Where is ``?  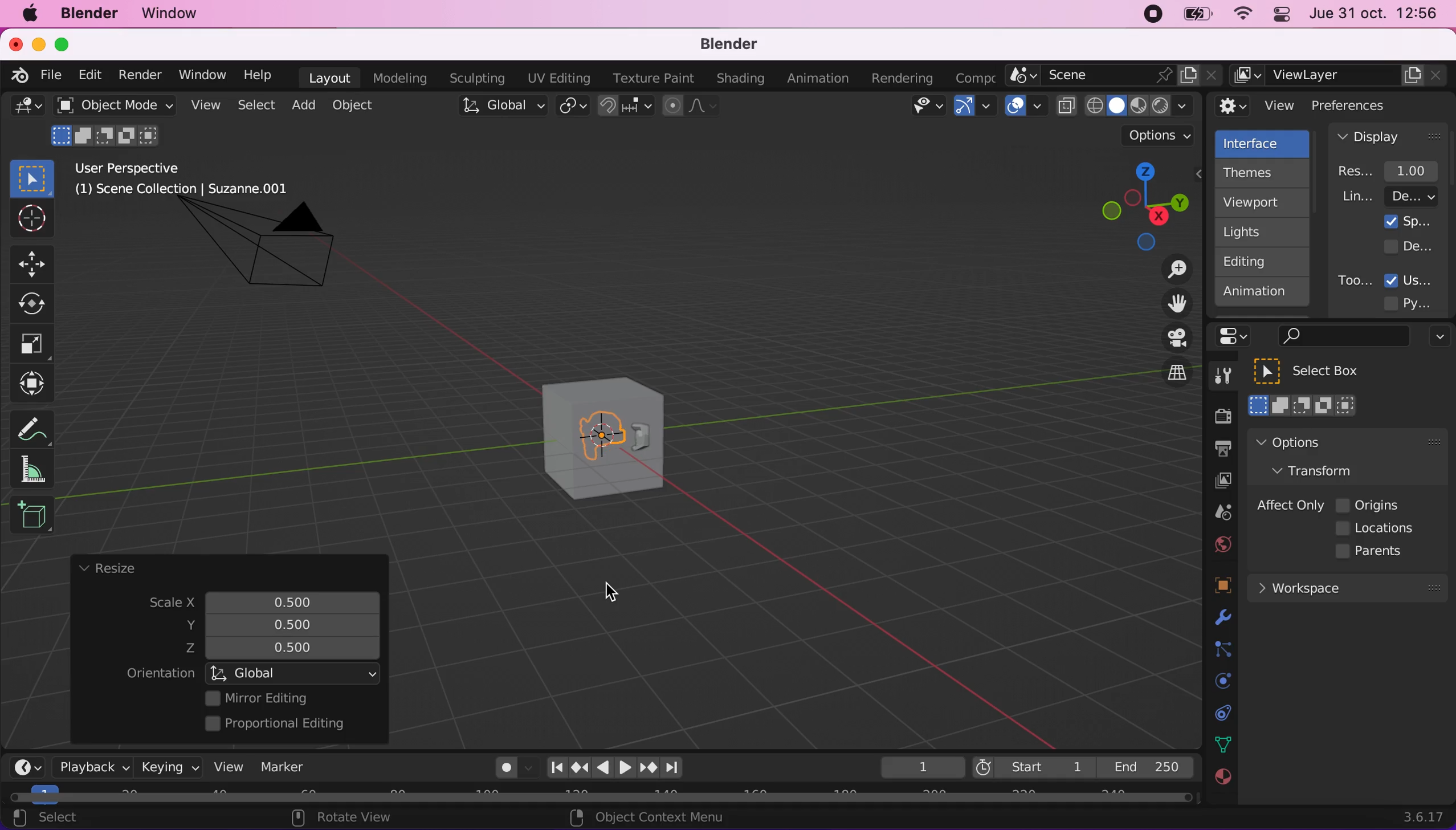  is located at coordinates (32, 344).